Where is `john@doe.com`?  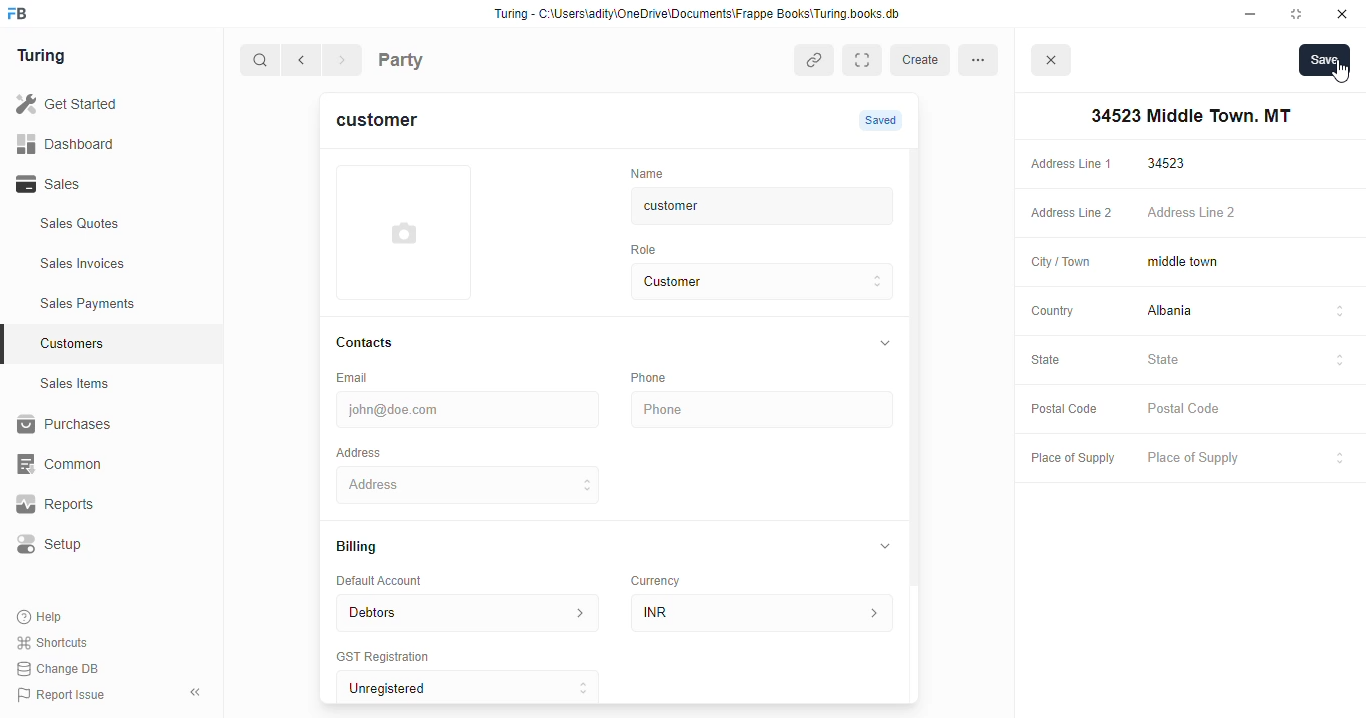
john@doe.com is located at coordinates (471, 407).